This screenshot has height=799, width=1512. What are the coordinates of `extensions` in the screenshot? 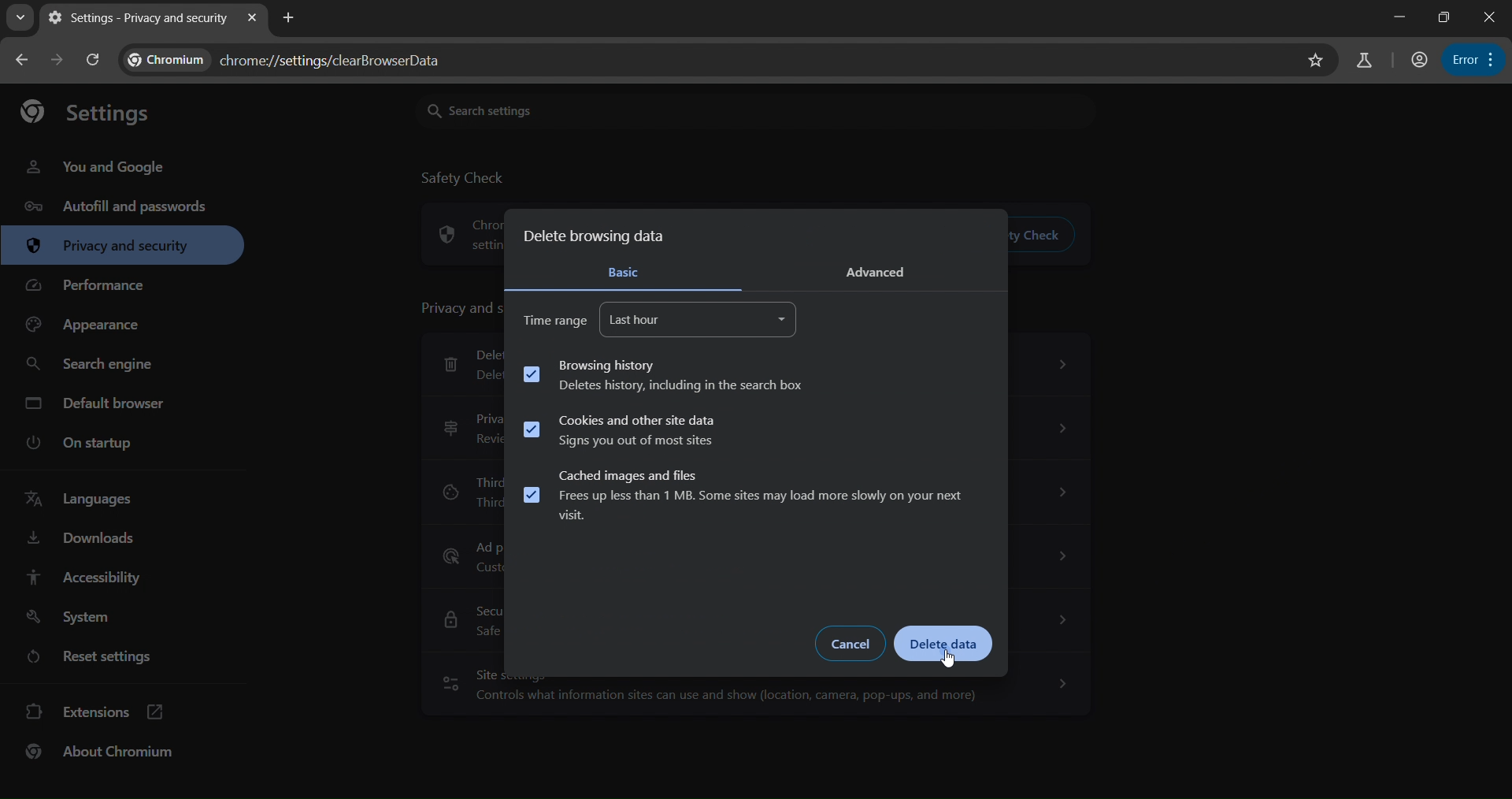 It's located at (95, 712).